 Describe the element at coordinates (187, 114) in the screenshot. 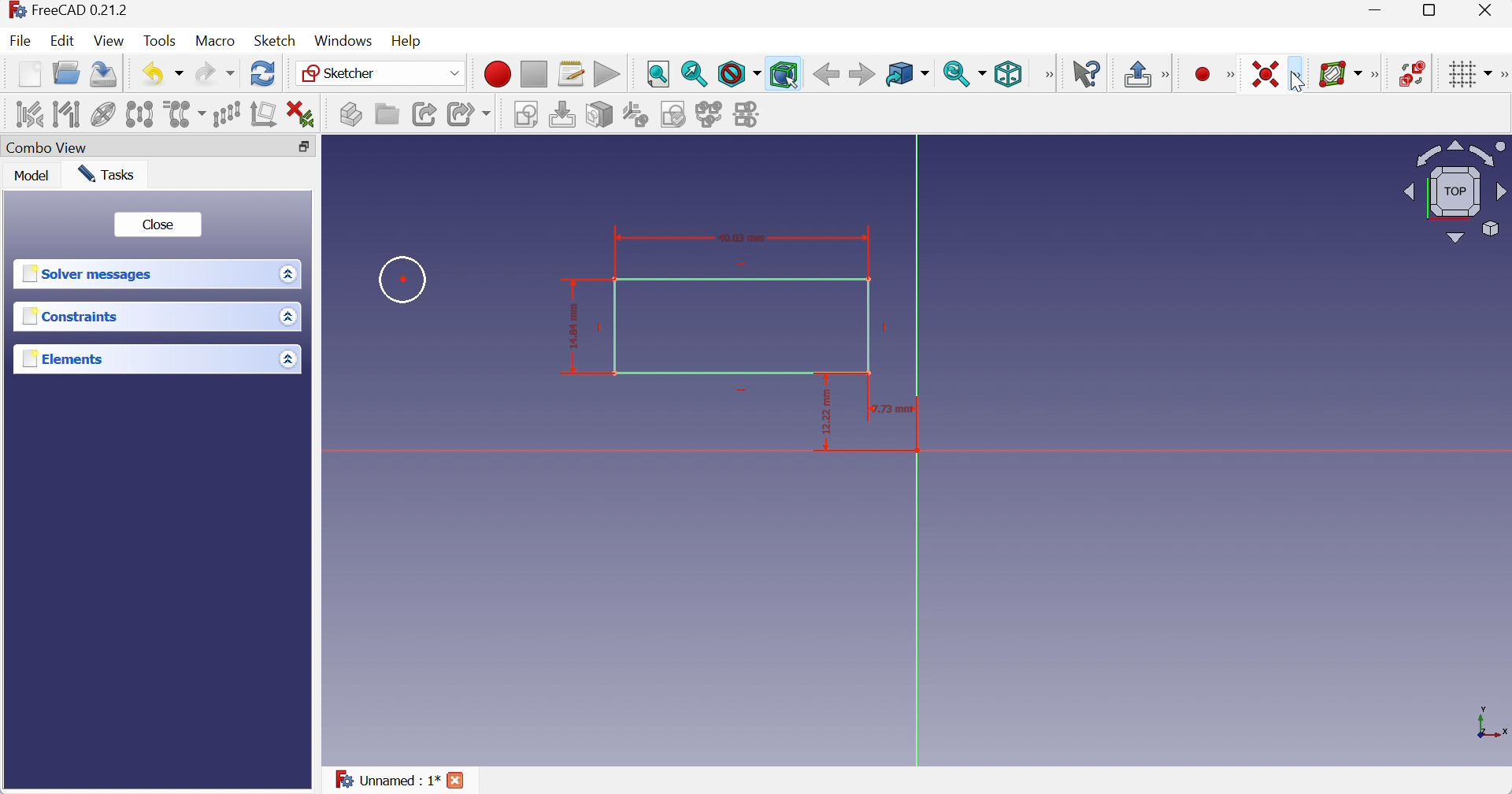

I see `Clone` at that location.